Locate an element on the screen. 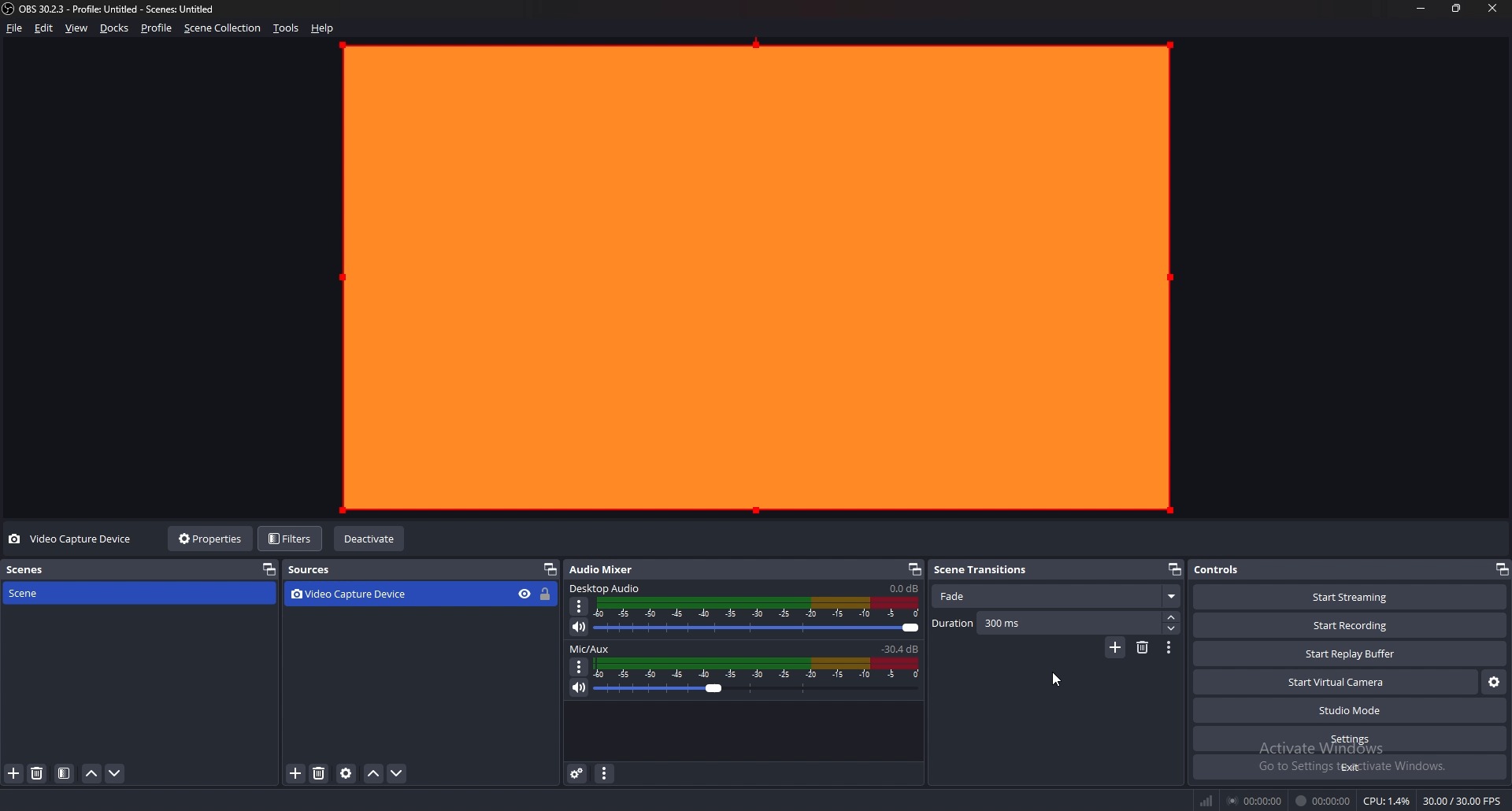 The height and width of the screenshot is (811, 1512). add transition is located at coordinates (1117, 647).